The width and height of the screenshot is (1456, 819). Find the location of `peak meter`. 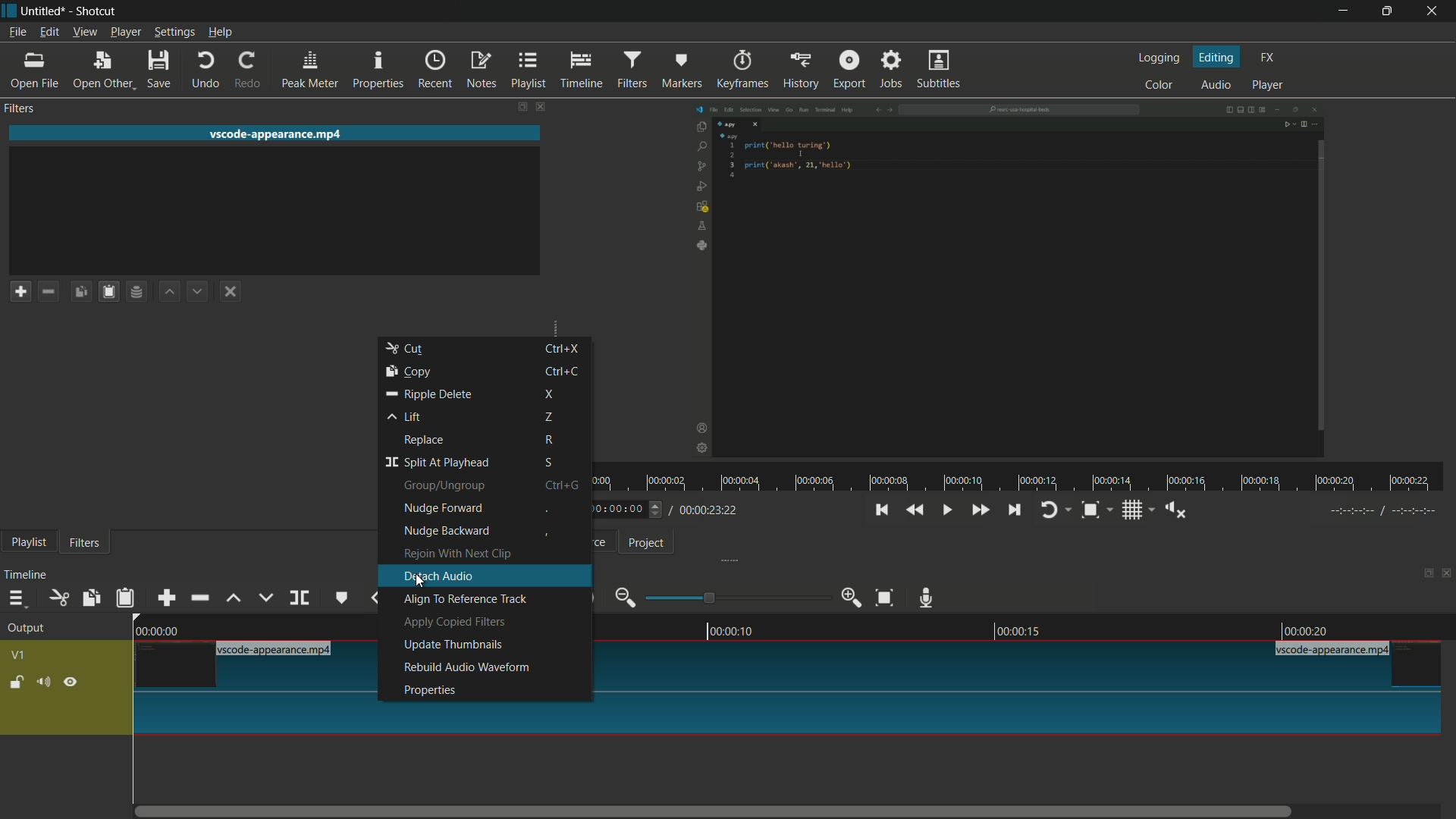

peak meter is located at coordinates (312, 70).